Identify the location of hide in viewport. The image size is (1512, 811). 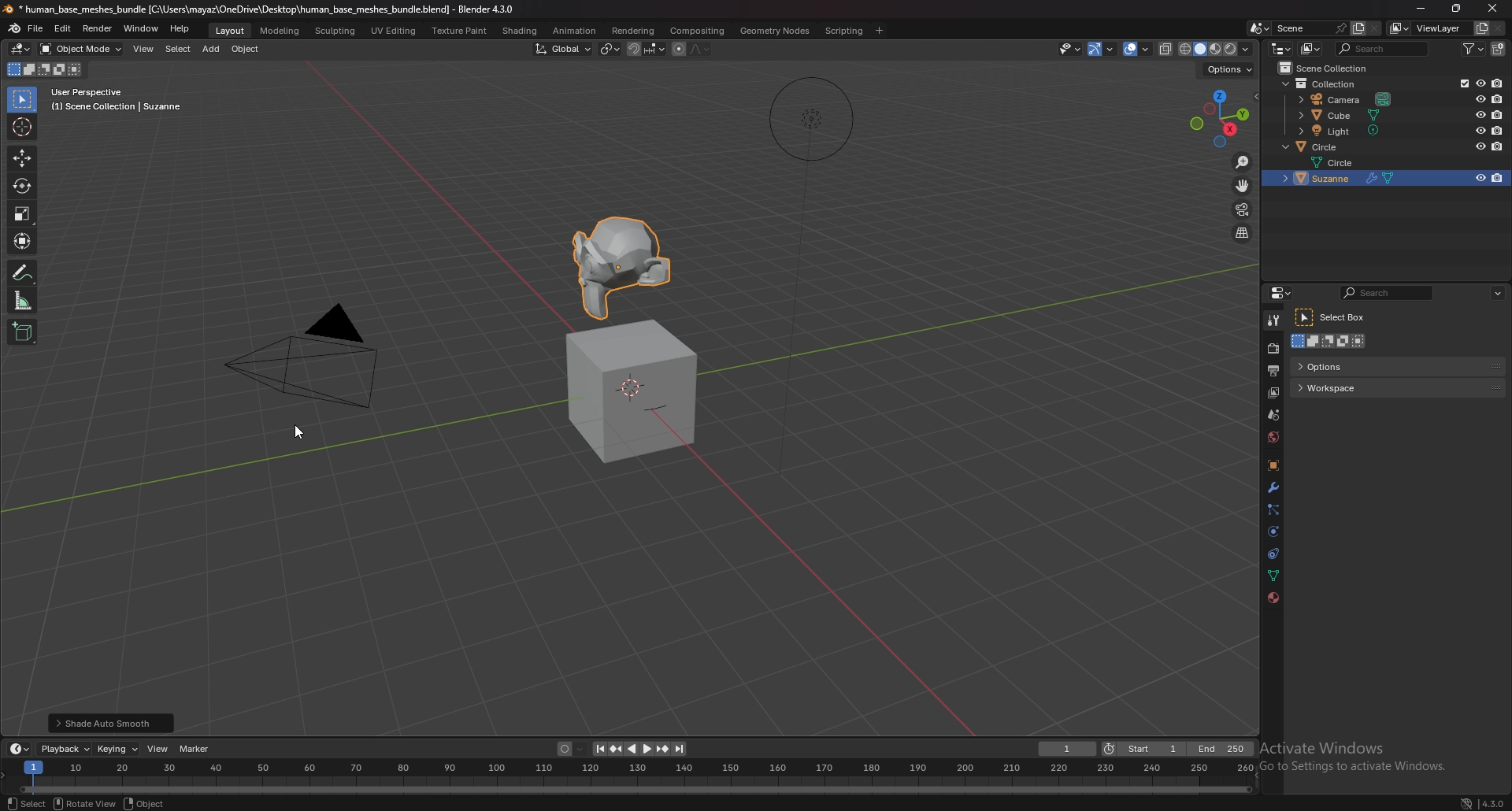
(1477, 114).